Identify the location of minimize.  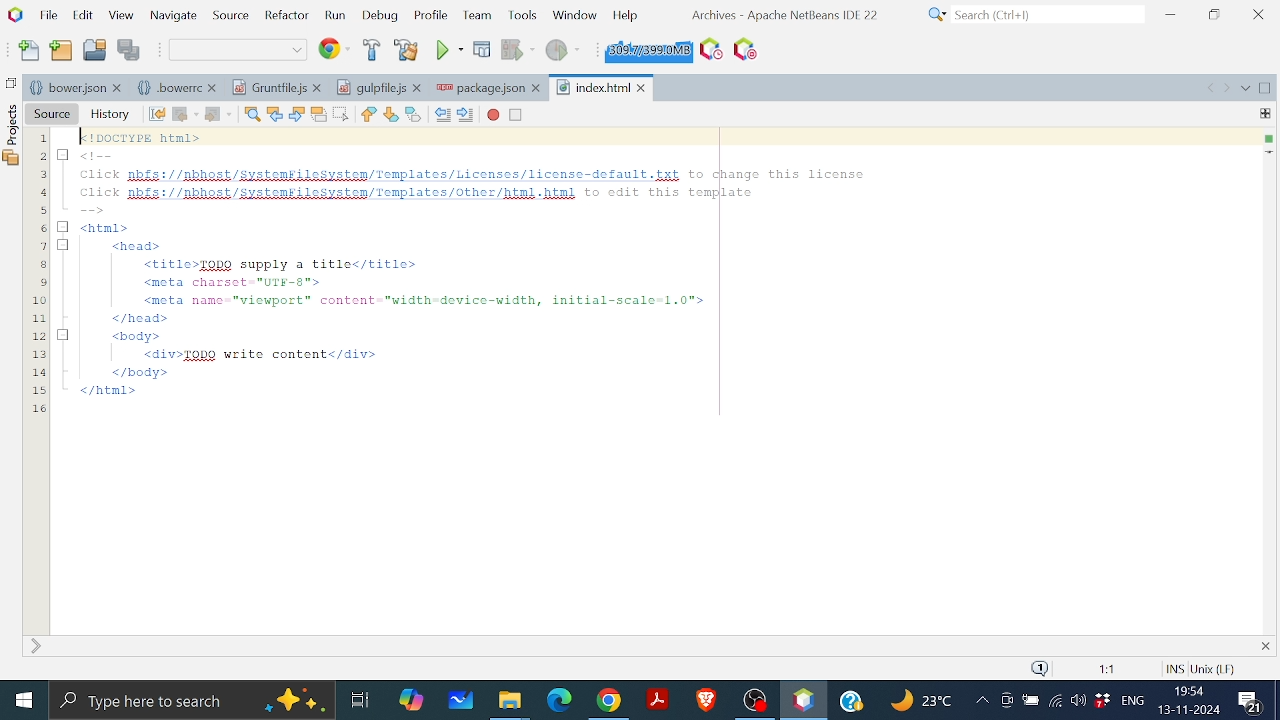
(63, 334).